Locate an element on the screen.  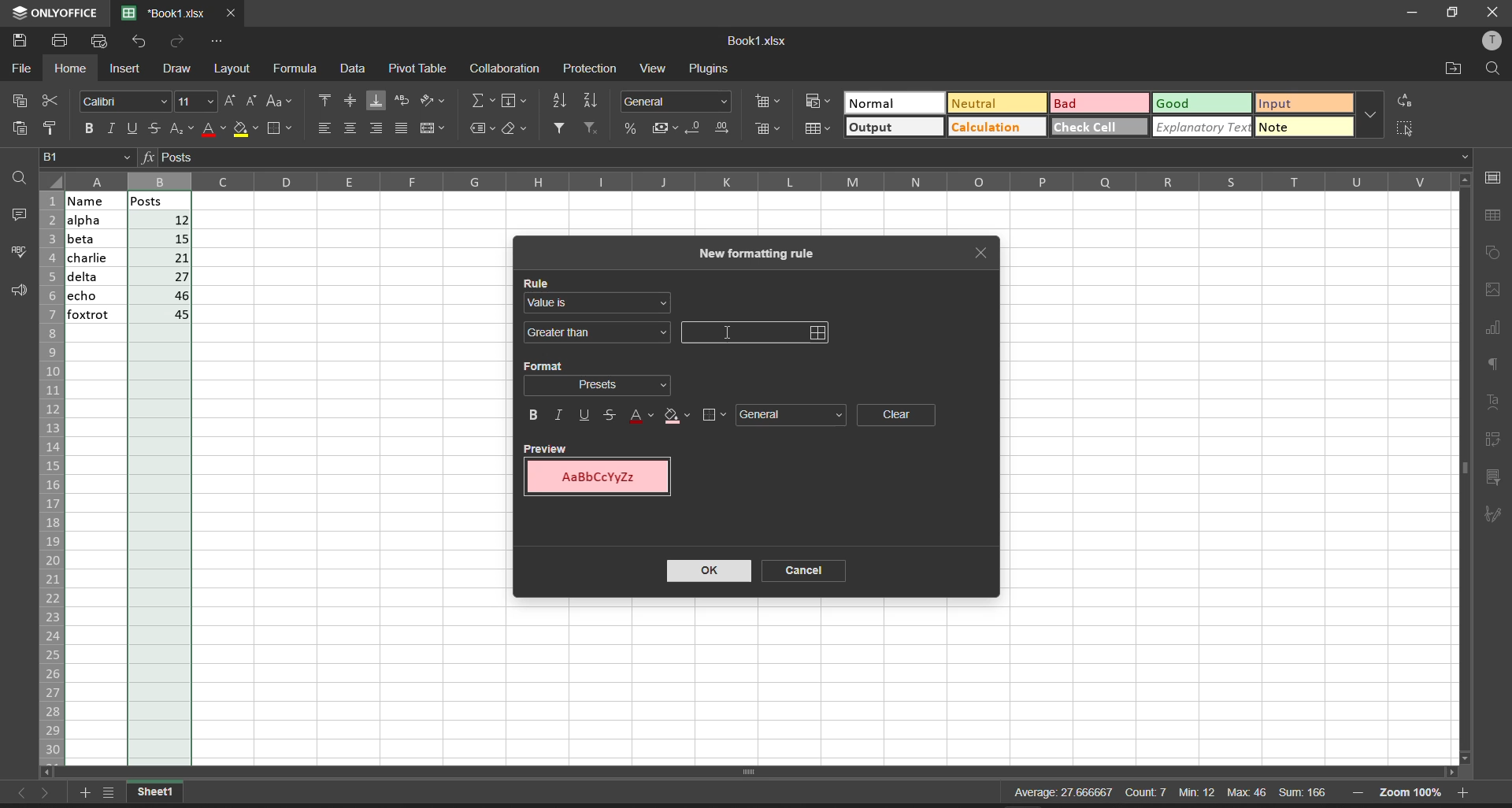
cursor is located at coordinates (726, 332).